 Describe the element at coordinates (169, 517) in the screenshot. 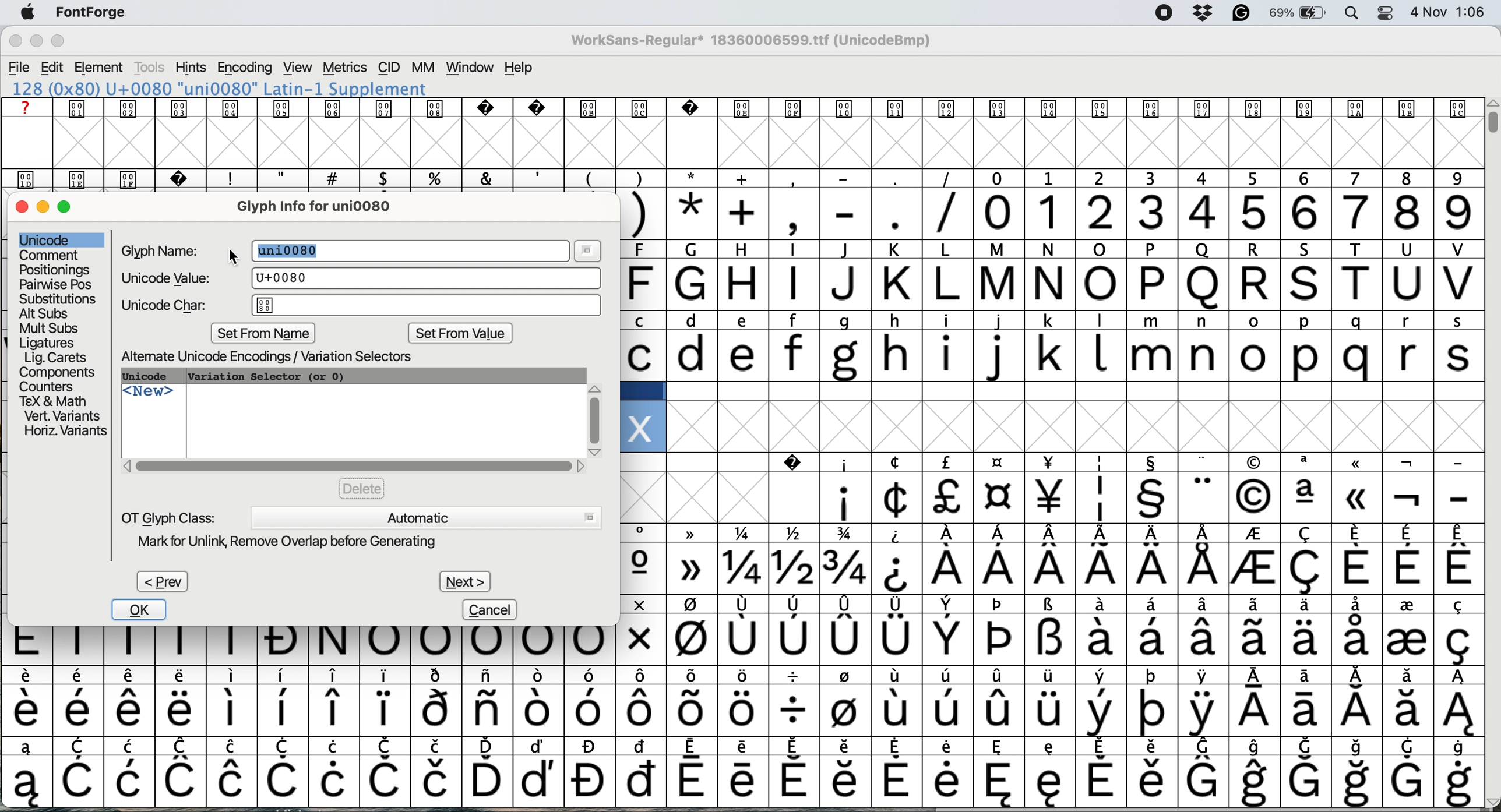

I see `ot glyph class` at that location.